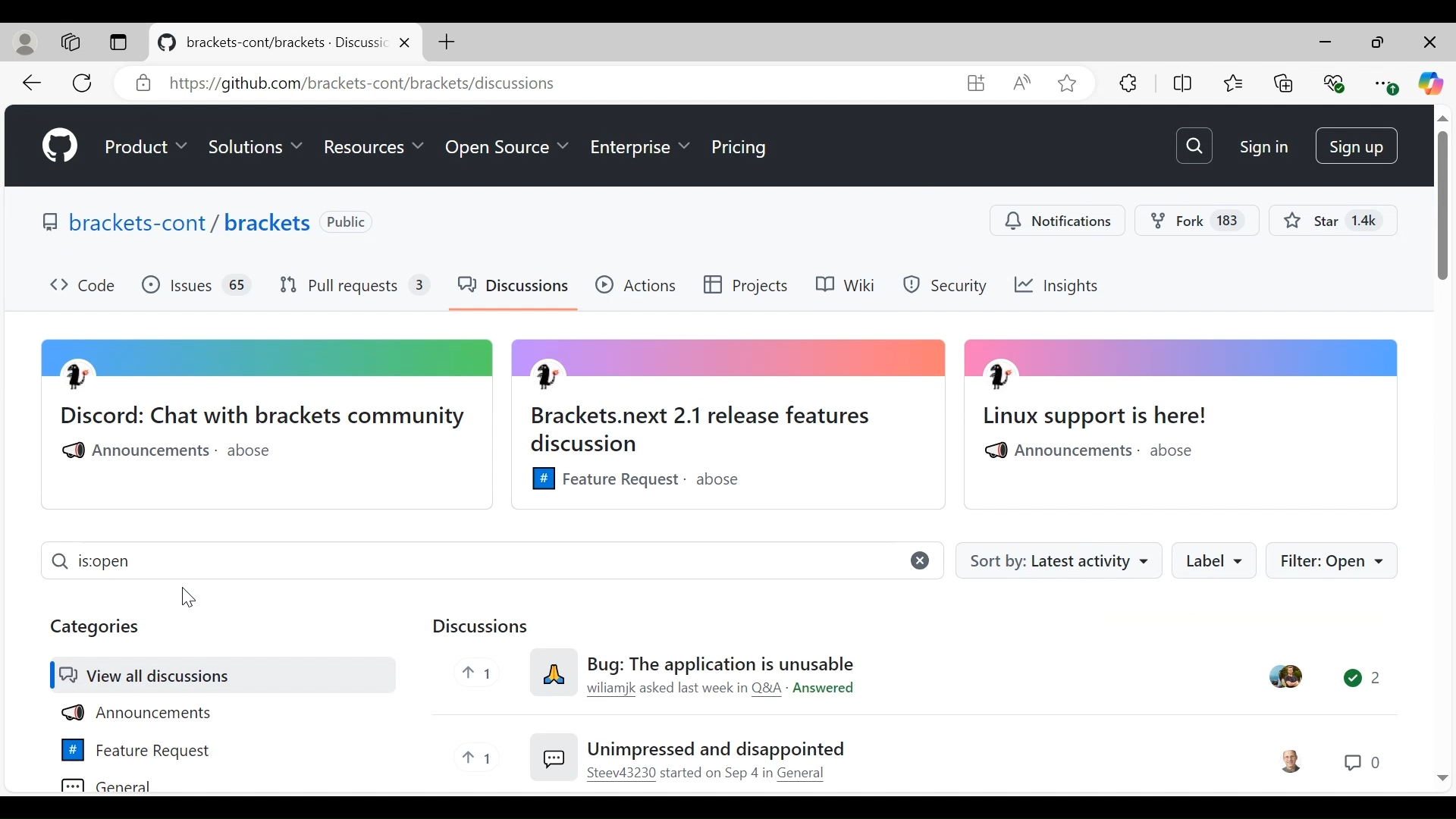 This screenshot has width=1456, height=819. Describe the element at coordinates (741, 149) in the screenshot. I see `Pricing` at that location.